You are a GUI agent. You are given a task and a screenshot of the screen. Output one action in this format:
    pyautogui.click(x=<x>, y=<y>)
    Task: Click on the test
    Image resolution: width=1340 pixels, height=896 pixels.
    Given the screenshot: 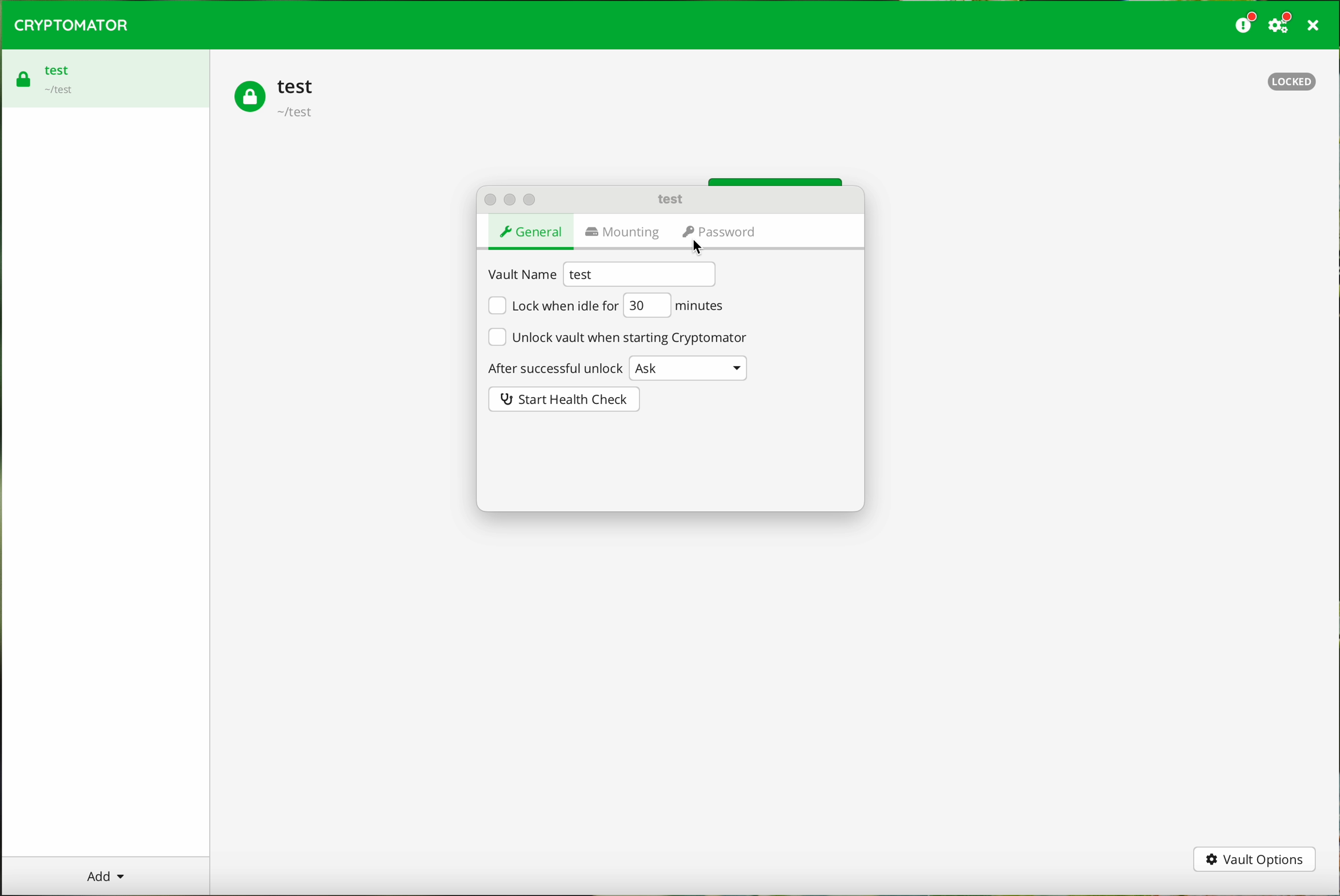 What is the action you would take?
    pyautogui.click(x=674, y=199)
    